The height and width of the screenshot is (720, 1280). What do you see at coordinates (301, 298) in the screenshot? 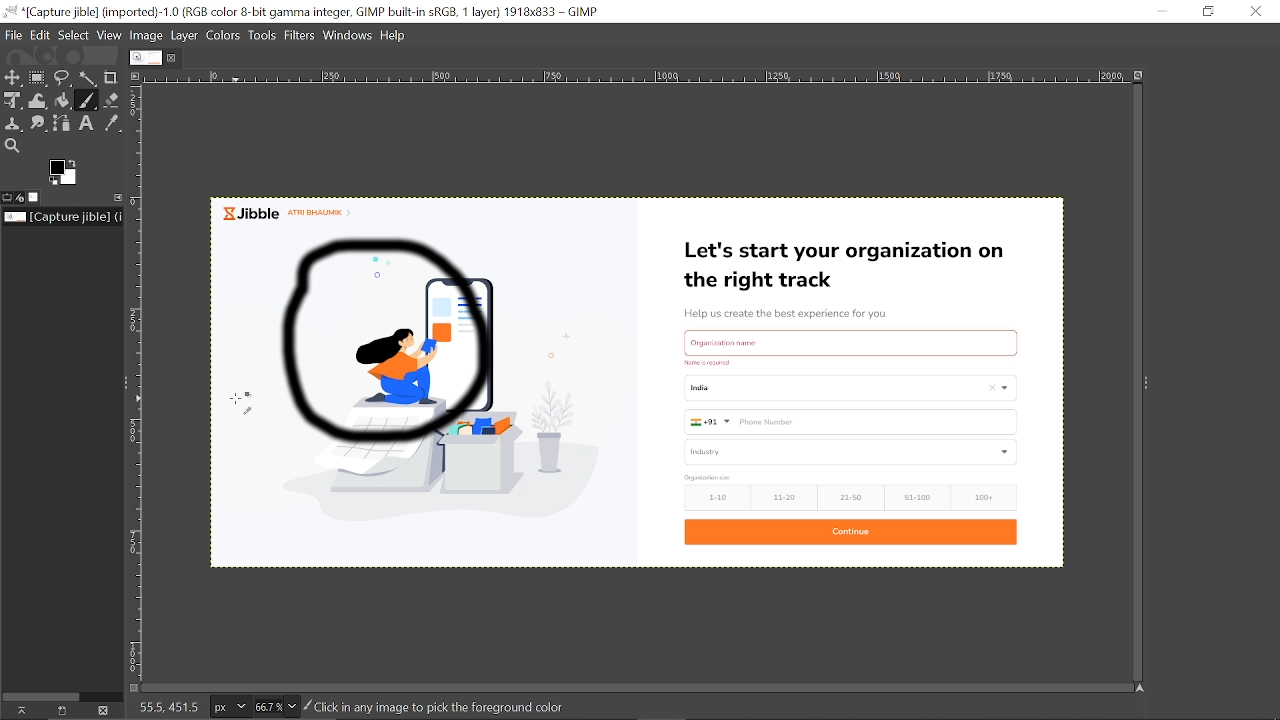
I see `paintbrush tool selected ` at bounding box center [301, 298].